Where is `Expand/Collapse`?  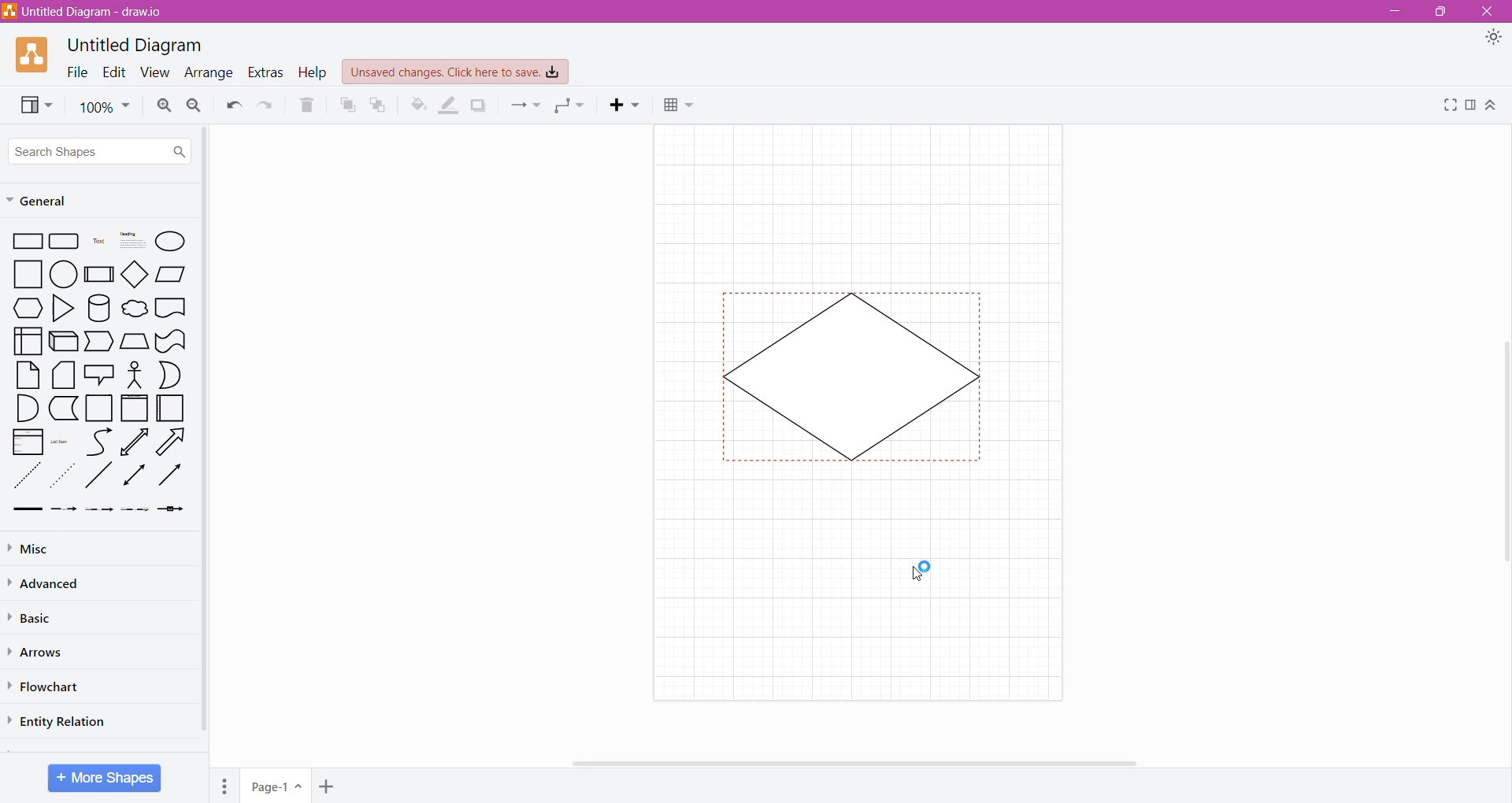
Expand/Collapse is located at coordinates (1492, 105).